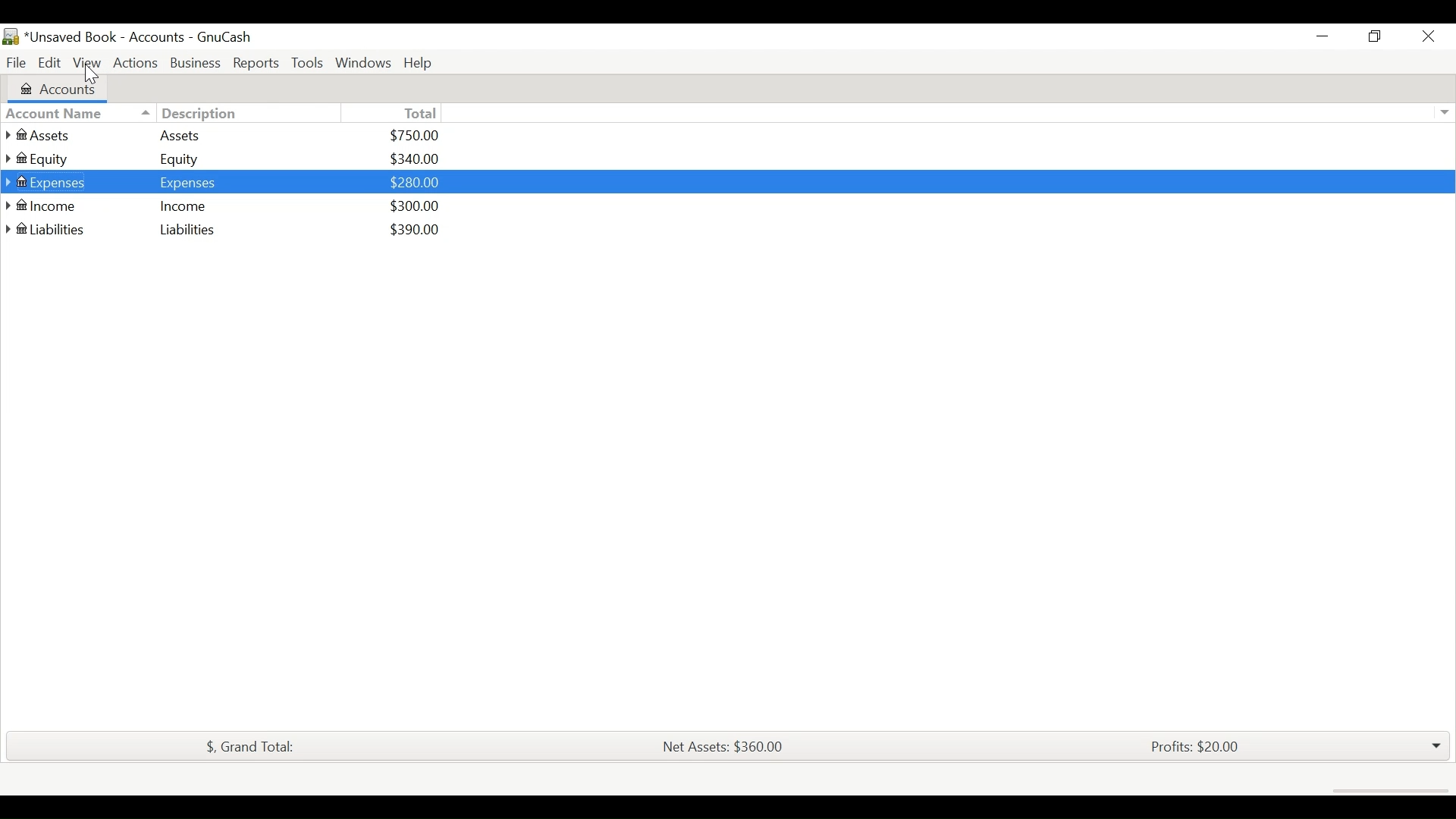 The height and width of the screenshot is (819, 1456). I want to click on View, so click(89, 61).